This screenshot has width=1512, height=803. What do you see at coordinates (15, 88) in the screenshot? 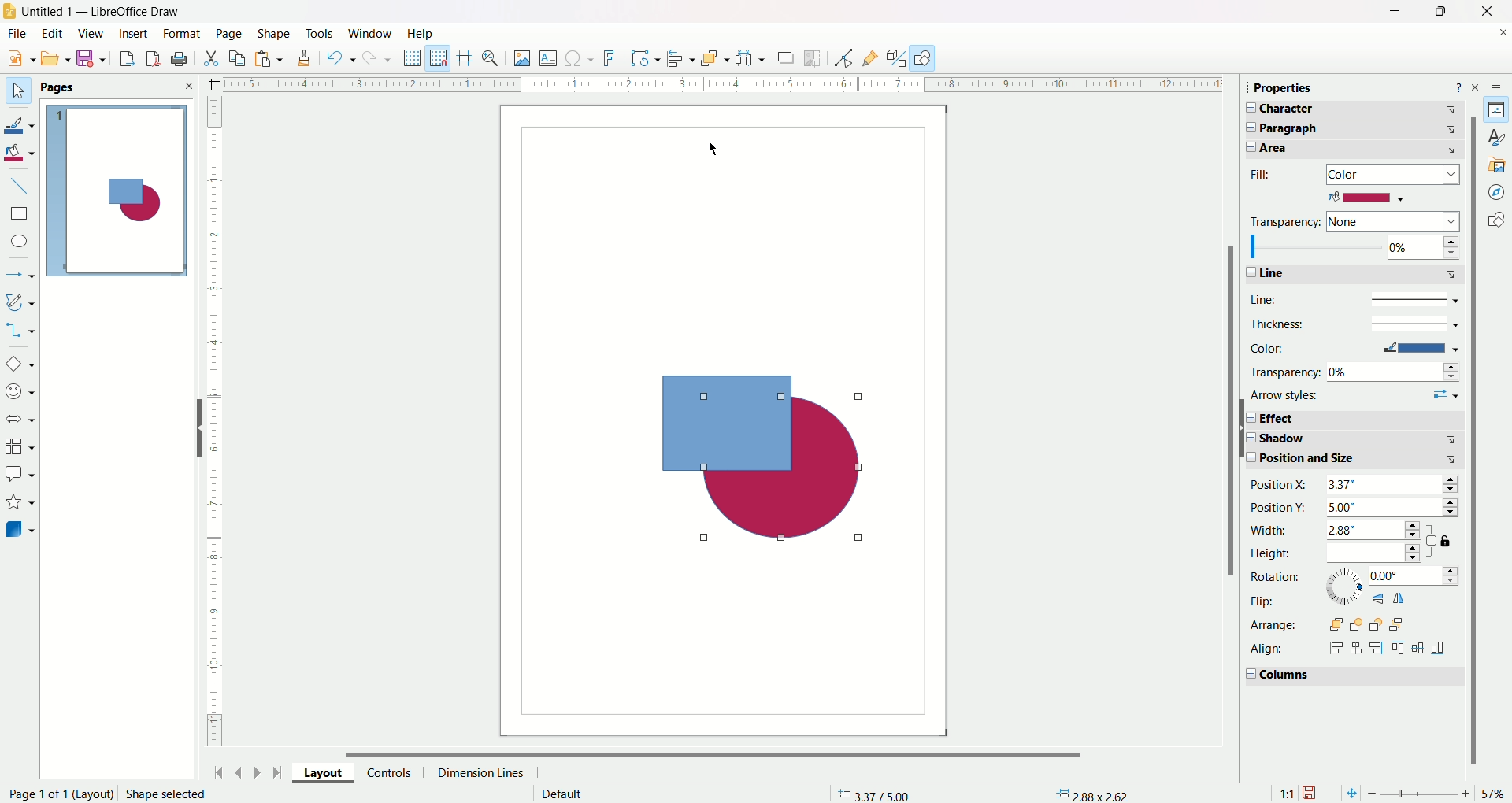
I see `select` at bounding box center [15, 88].